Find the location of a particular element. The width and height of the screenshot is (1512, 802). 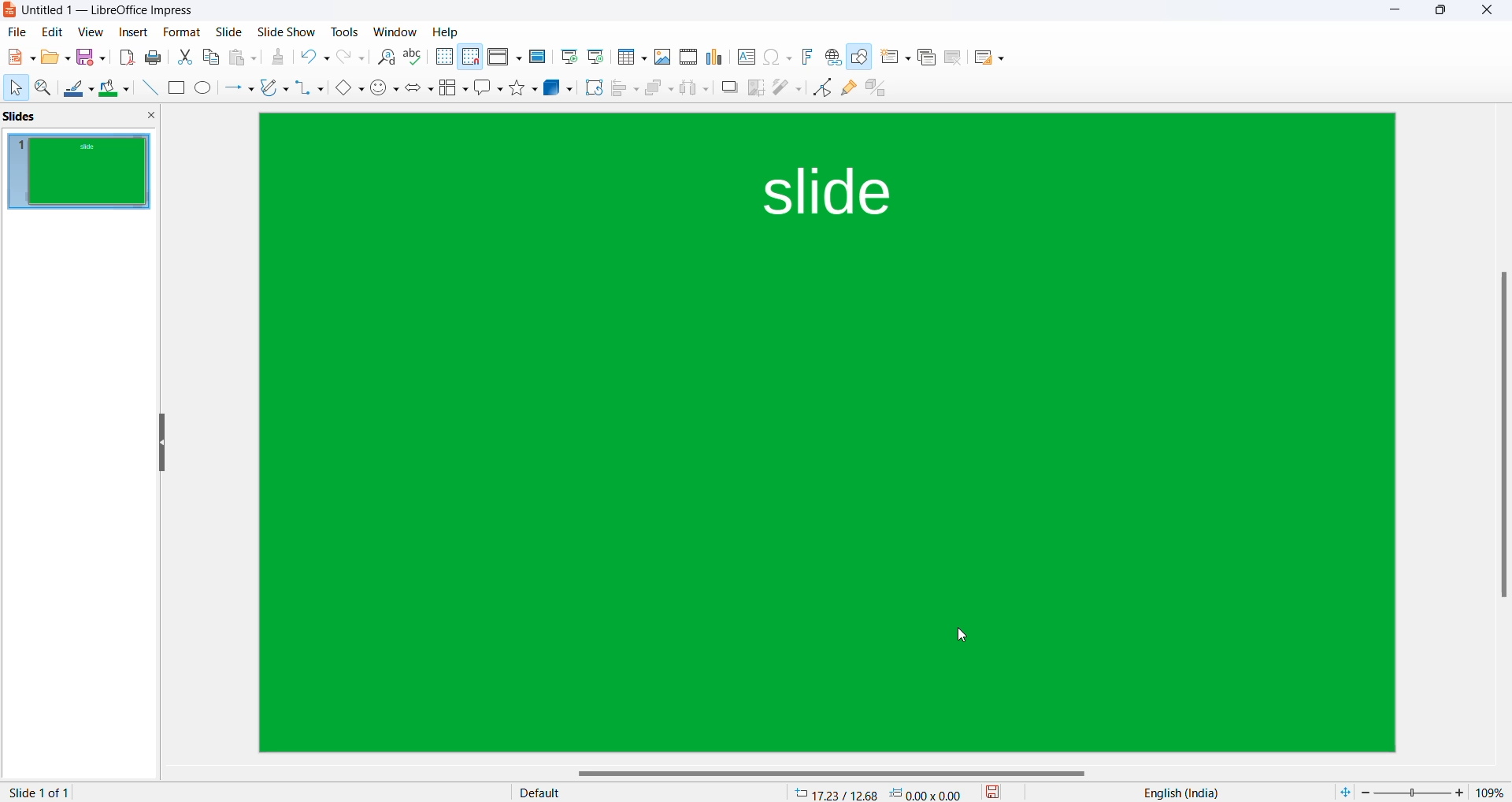

toggle end point edit mode is located at coordinates (823, 87).